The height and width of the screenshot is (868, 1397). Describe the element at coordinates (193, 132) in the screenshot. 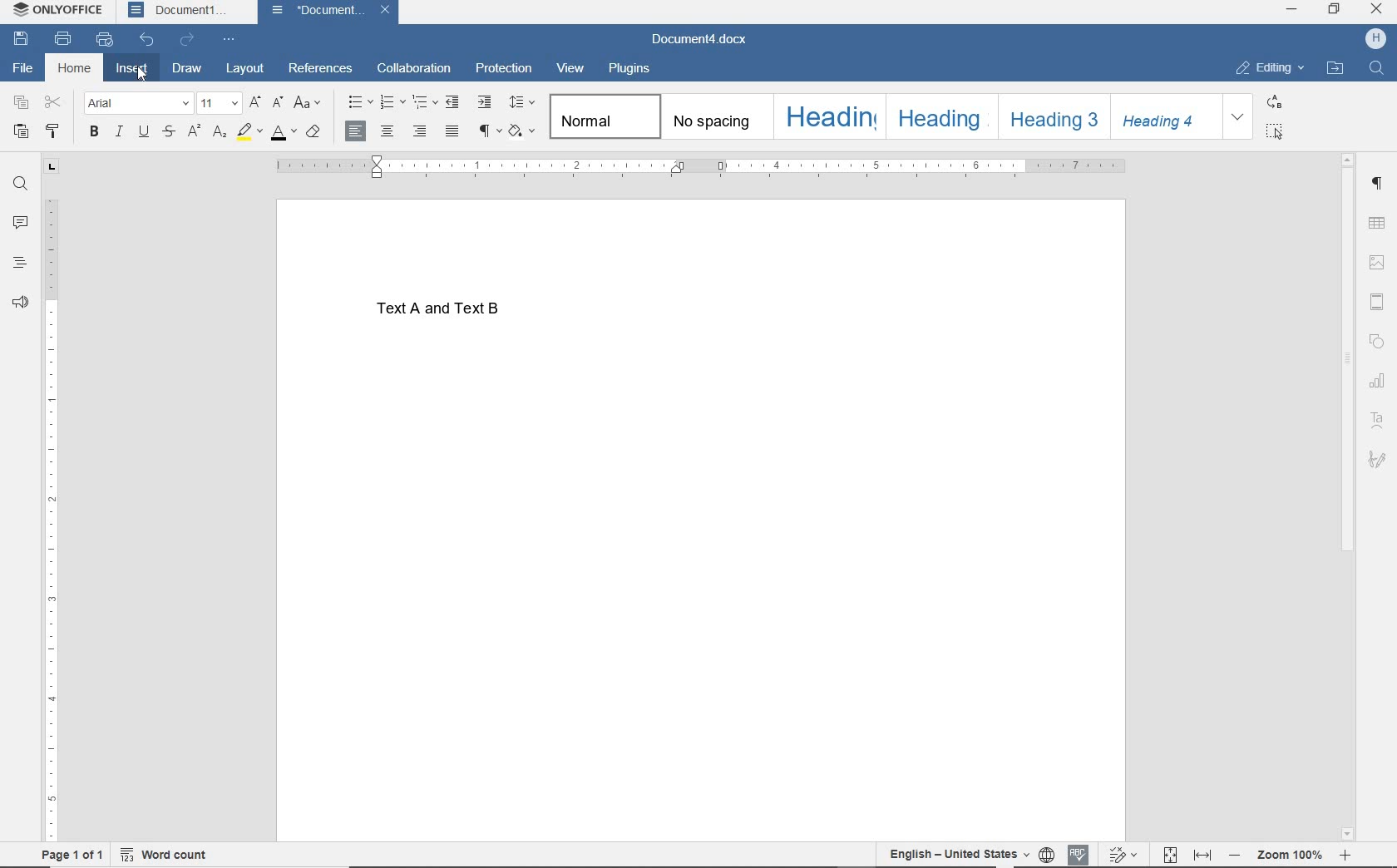

I see `SUPERSCRIPT` at that location.